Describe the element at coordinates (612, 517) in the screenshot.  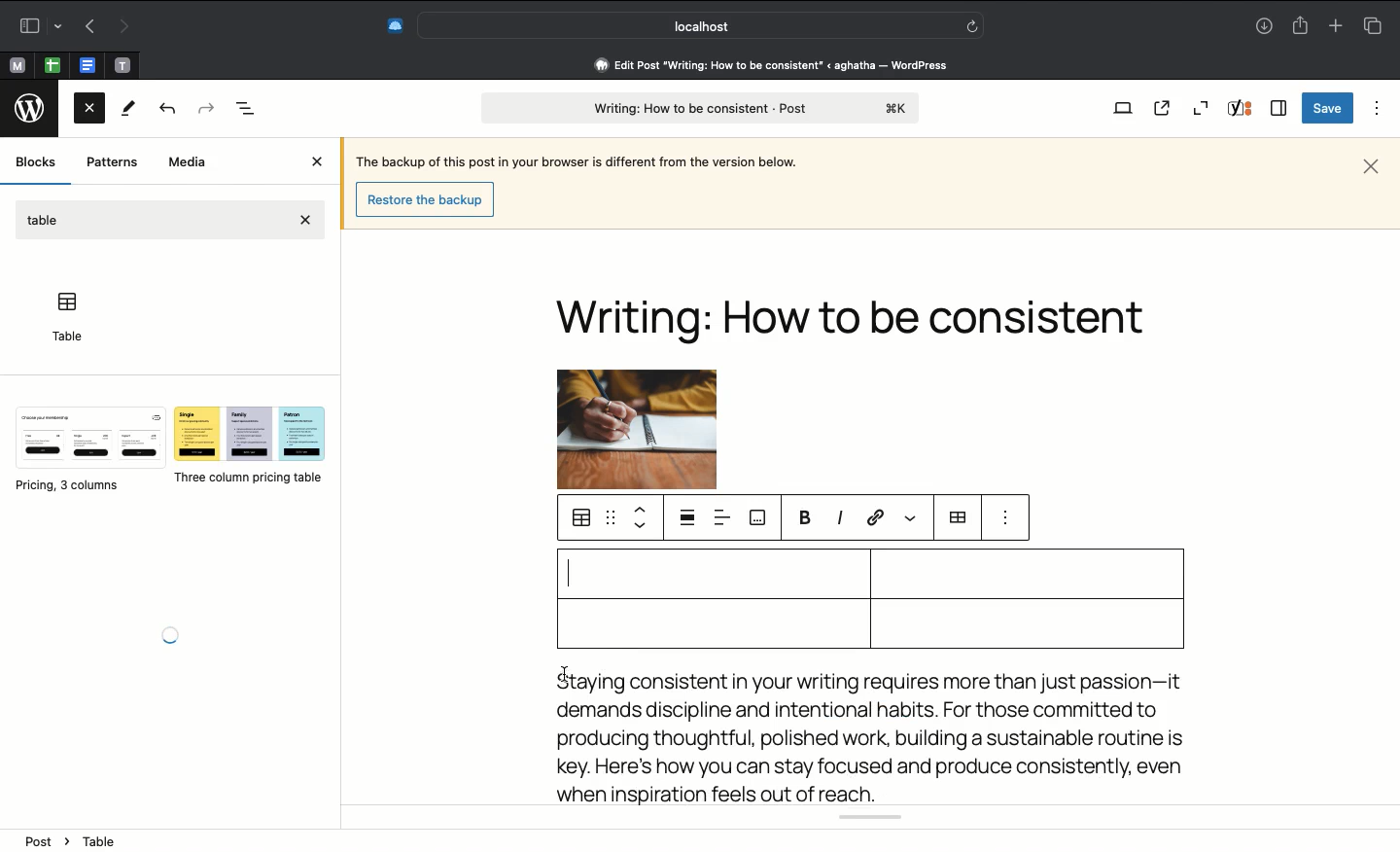
I see `Drag` at that location.